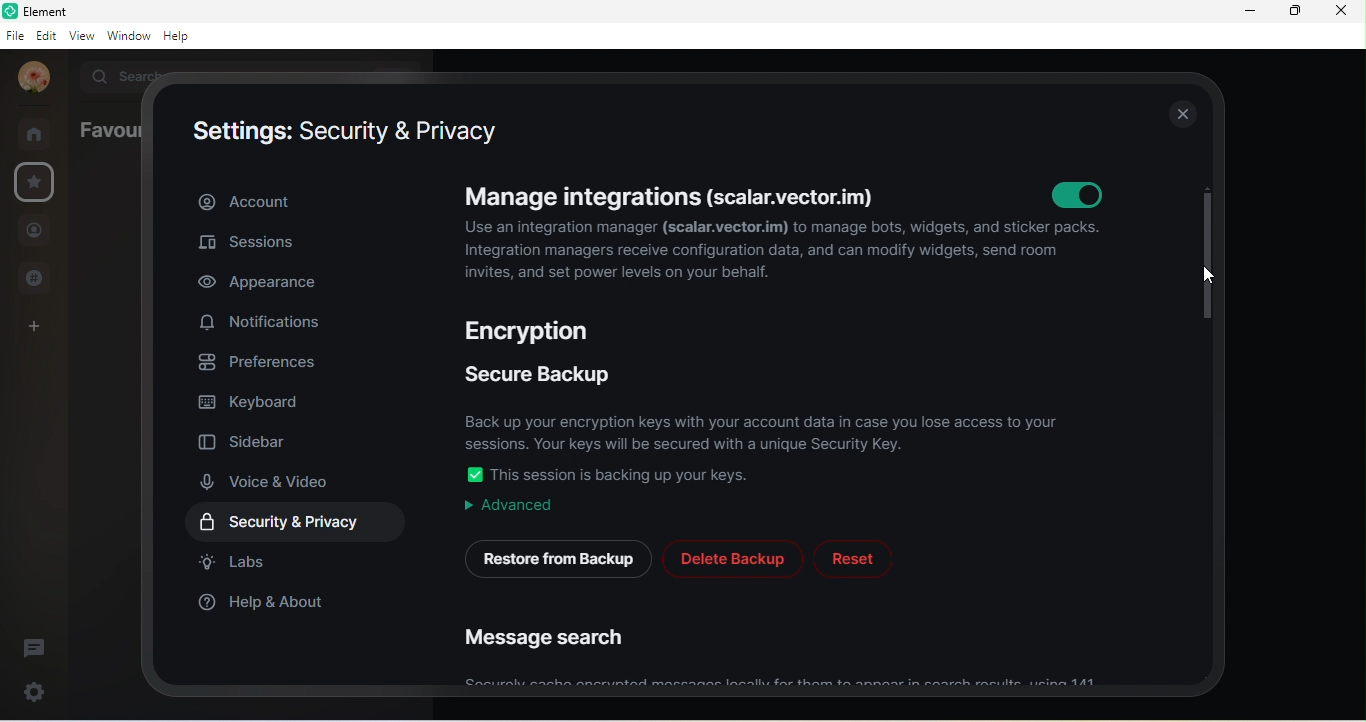 The height and width of the screenshot is (722, 1366). What do you see at coordinates (537, 330) in the screenshot?
I see `encryption` at bounding box center [537, 330].